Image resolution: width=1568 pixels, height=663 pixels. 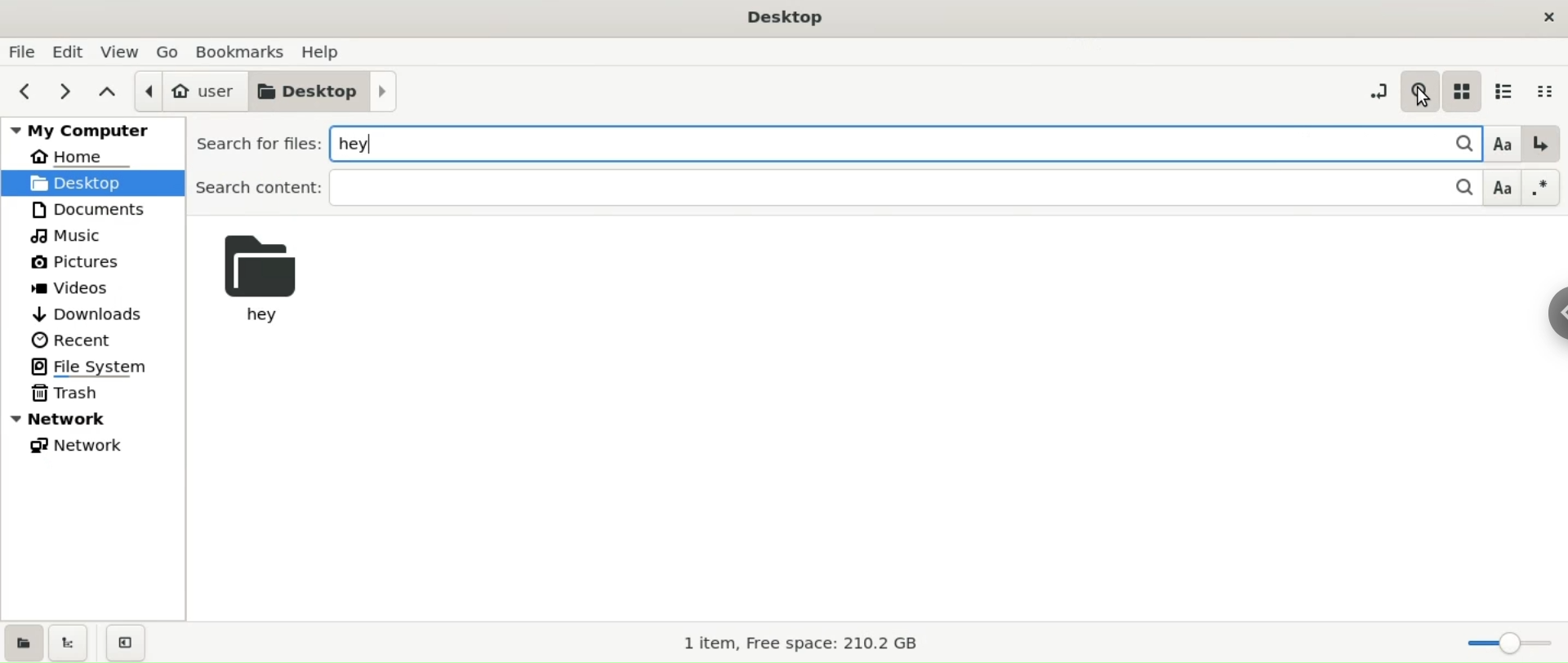 What do you see at coordinates (1373, 90) in the screenshot?
I see `toggle location entry` at bounding box center [1373, 90].